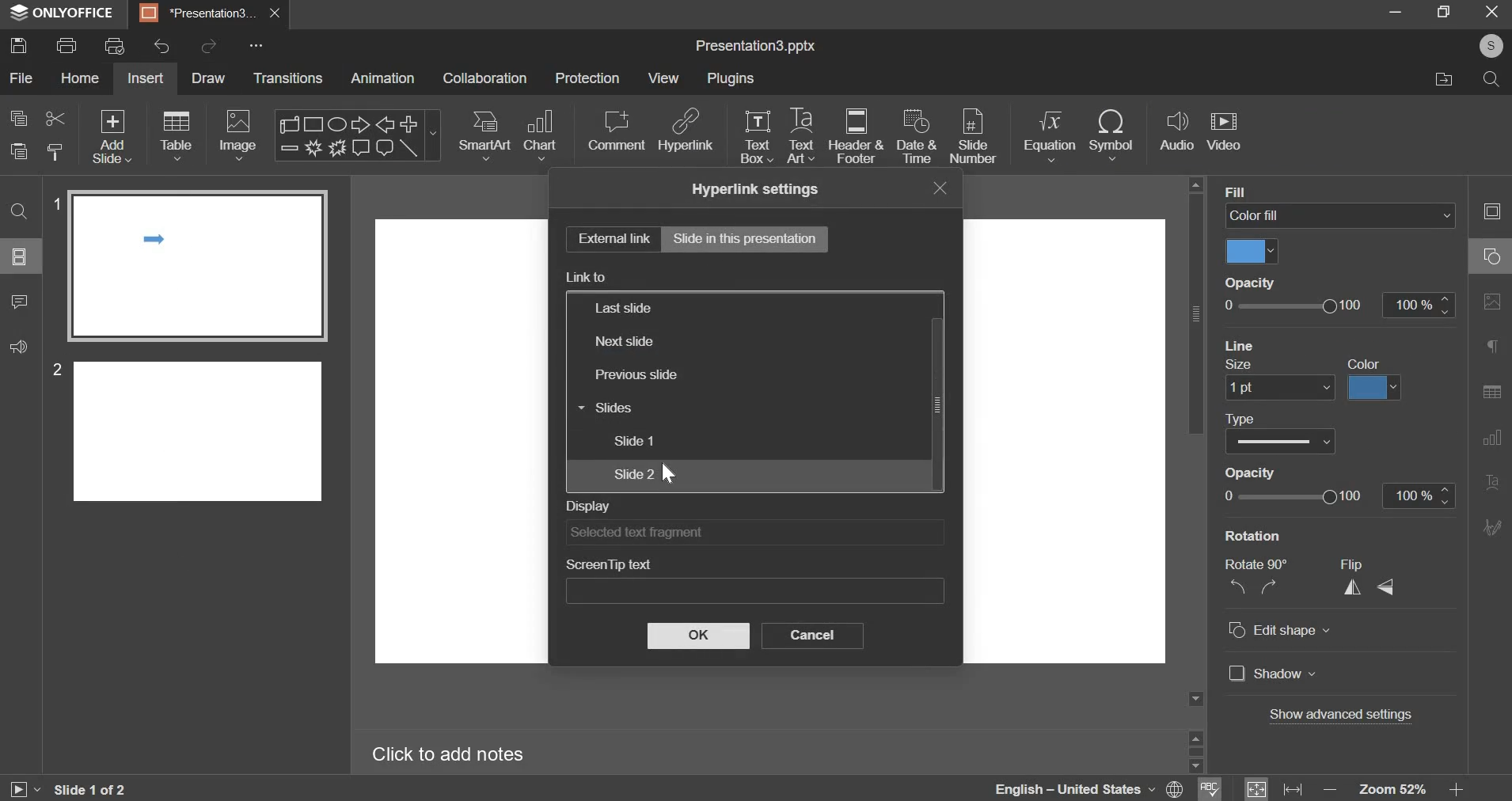 The height and width of the screenshot is (801, 1512). I want to click on find, so click(19, 212).